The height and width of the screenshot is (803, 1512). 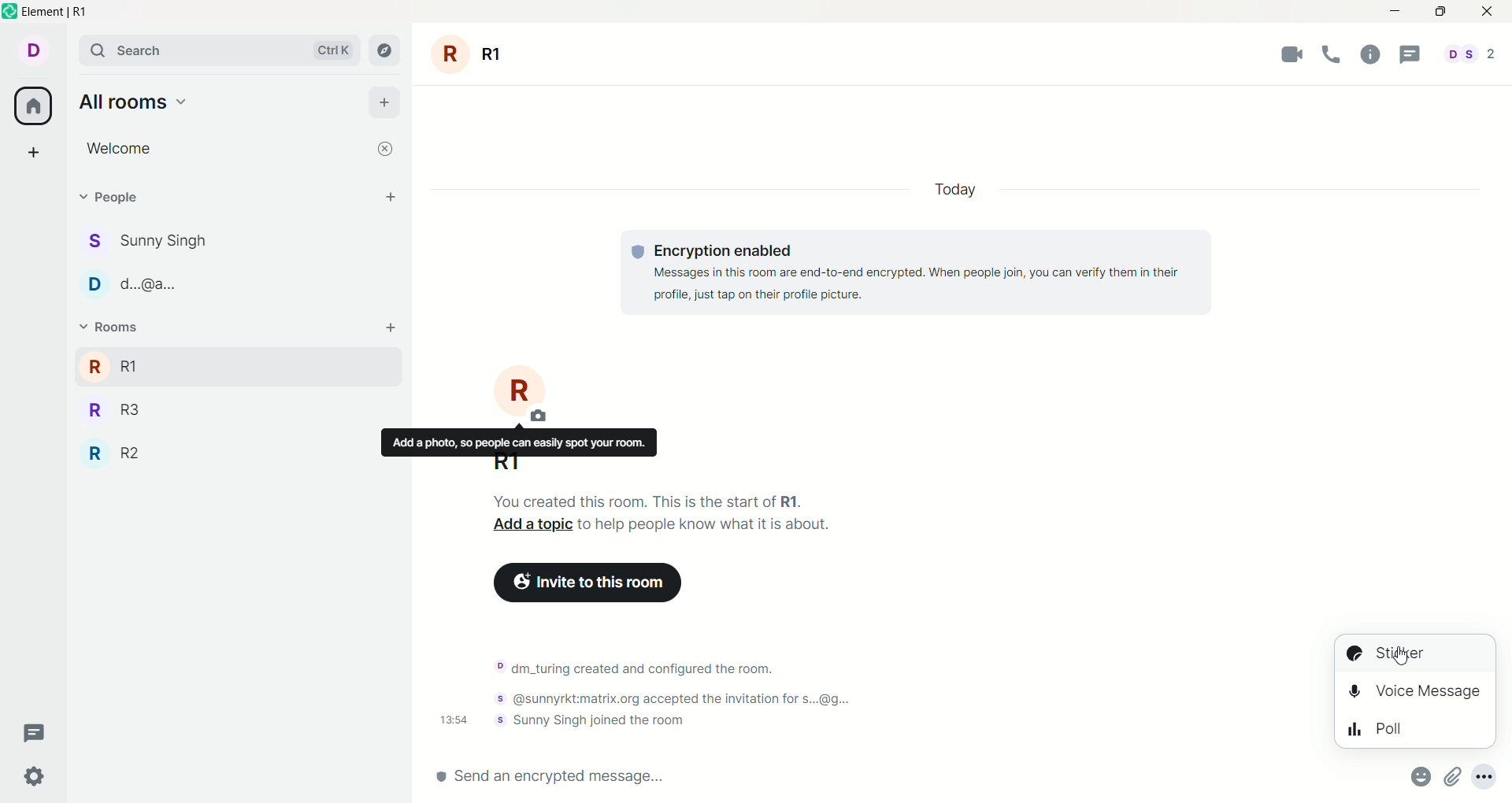 I want to click on video call, so click(x=1291, y=54).